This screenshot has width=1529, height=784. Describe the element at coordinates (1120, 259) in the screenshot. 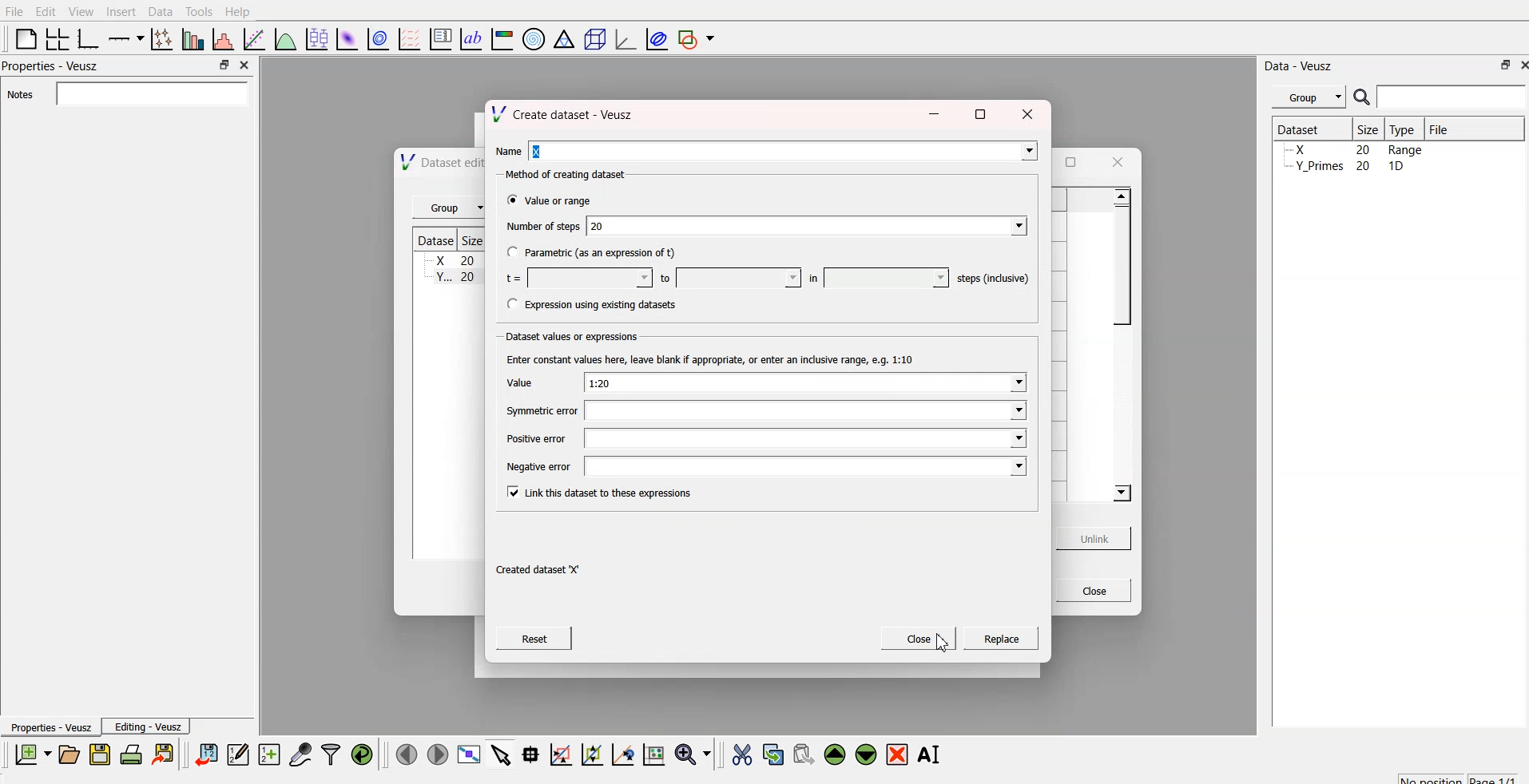

I see `scroll bar` at that location.